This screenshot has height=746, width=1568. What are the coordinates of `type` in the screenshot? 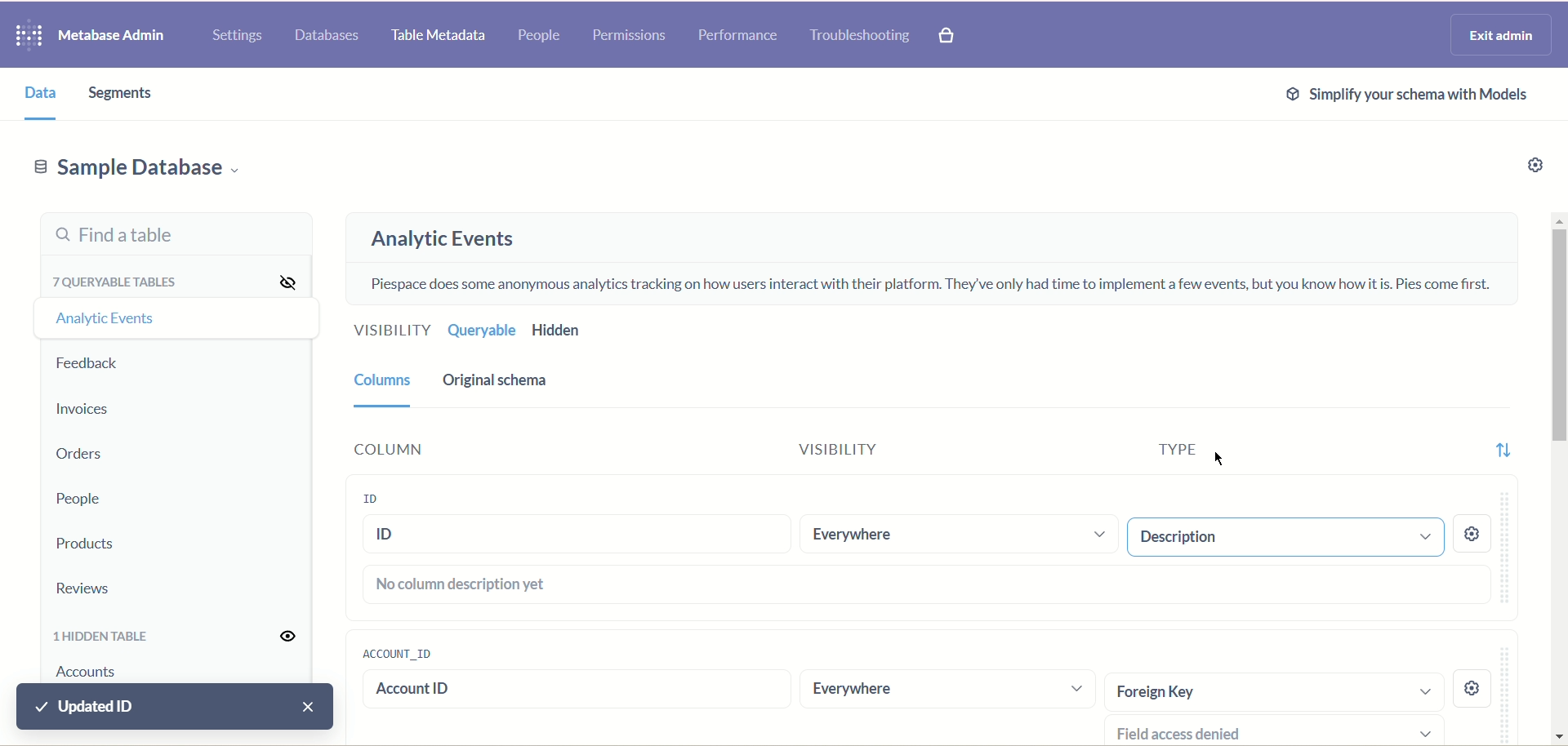 It's located at (1164, 446).